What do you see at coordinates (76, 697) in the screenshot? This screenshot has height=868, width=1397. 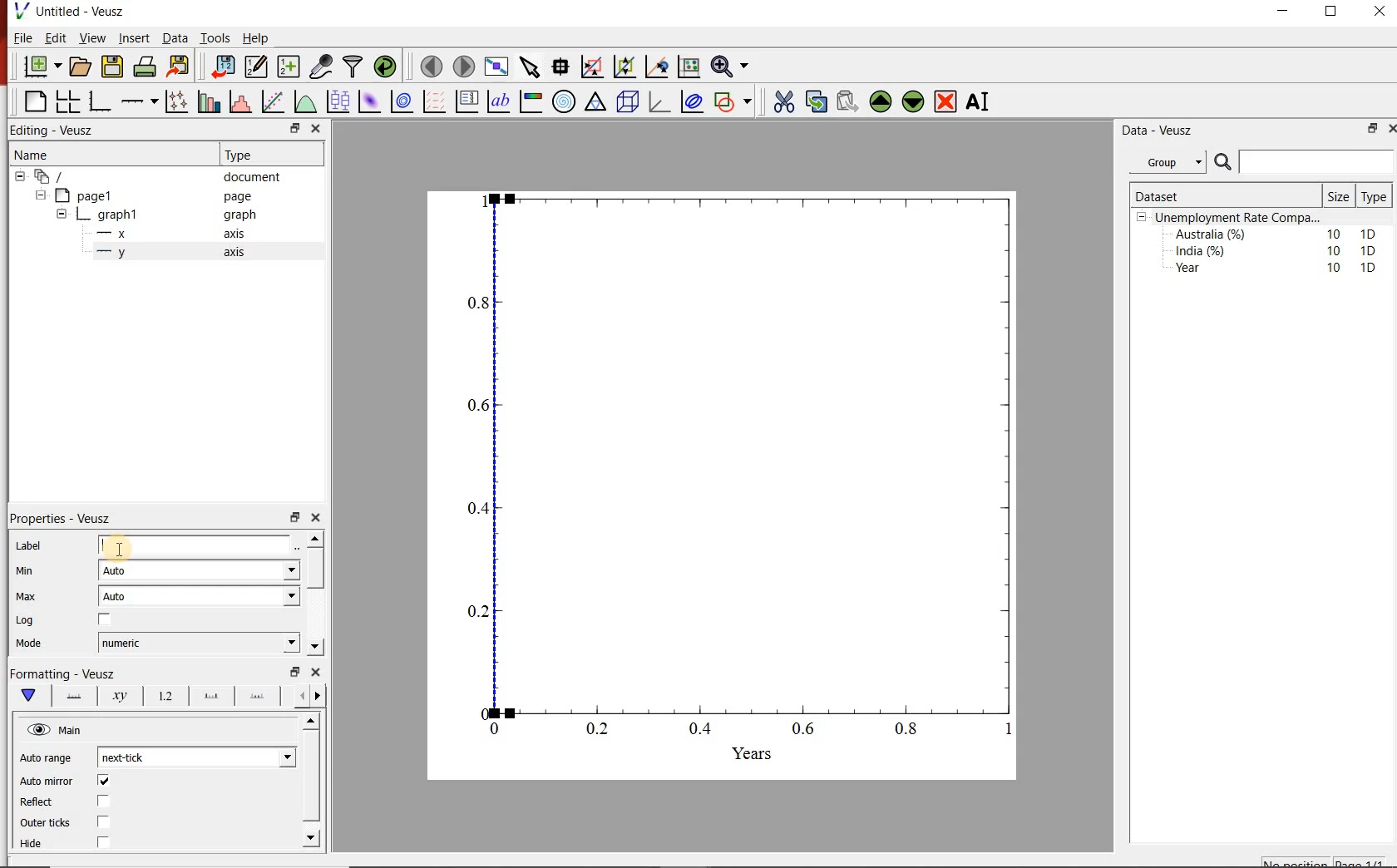 I see `axis lines` at bounding box center [76, 697].